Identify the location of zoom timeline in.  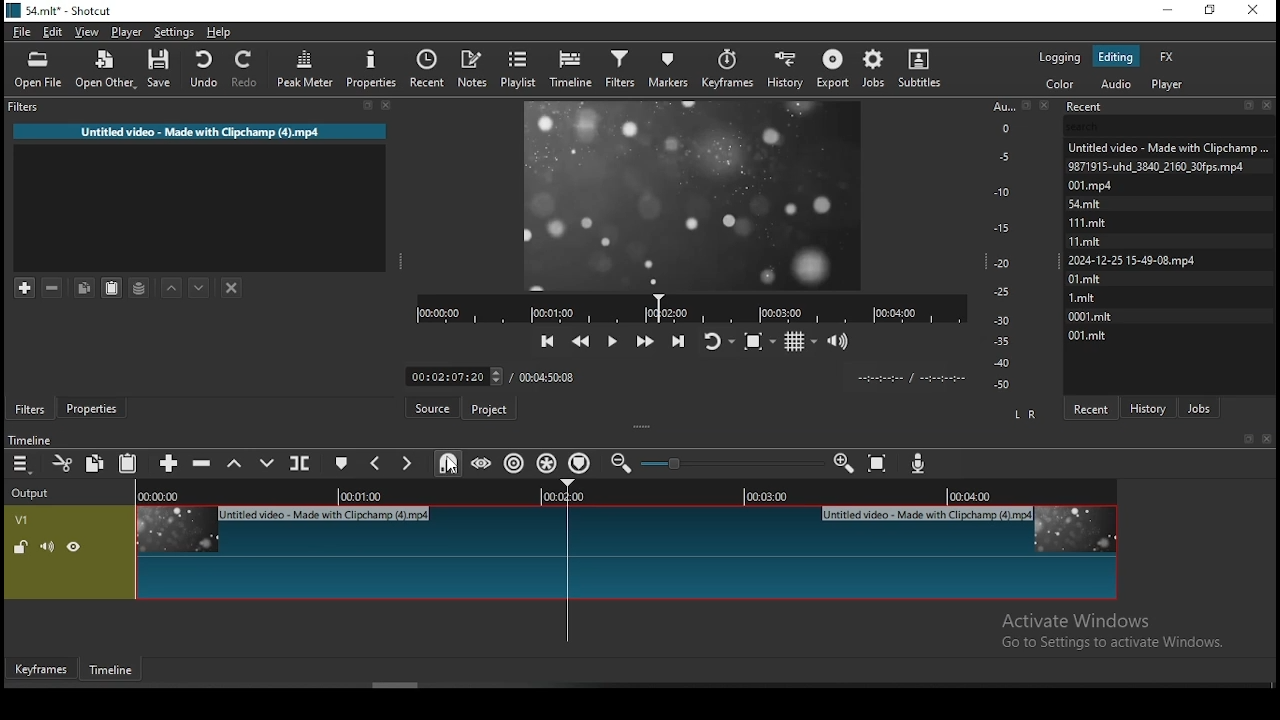
(618, 464).